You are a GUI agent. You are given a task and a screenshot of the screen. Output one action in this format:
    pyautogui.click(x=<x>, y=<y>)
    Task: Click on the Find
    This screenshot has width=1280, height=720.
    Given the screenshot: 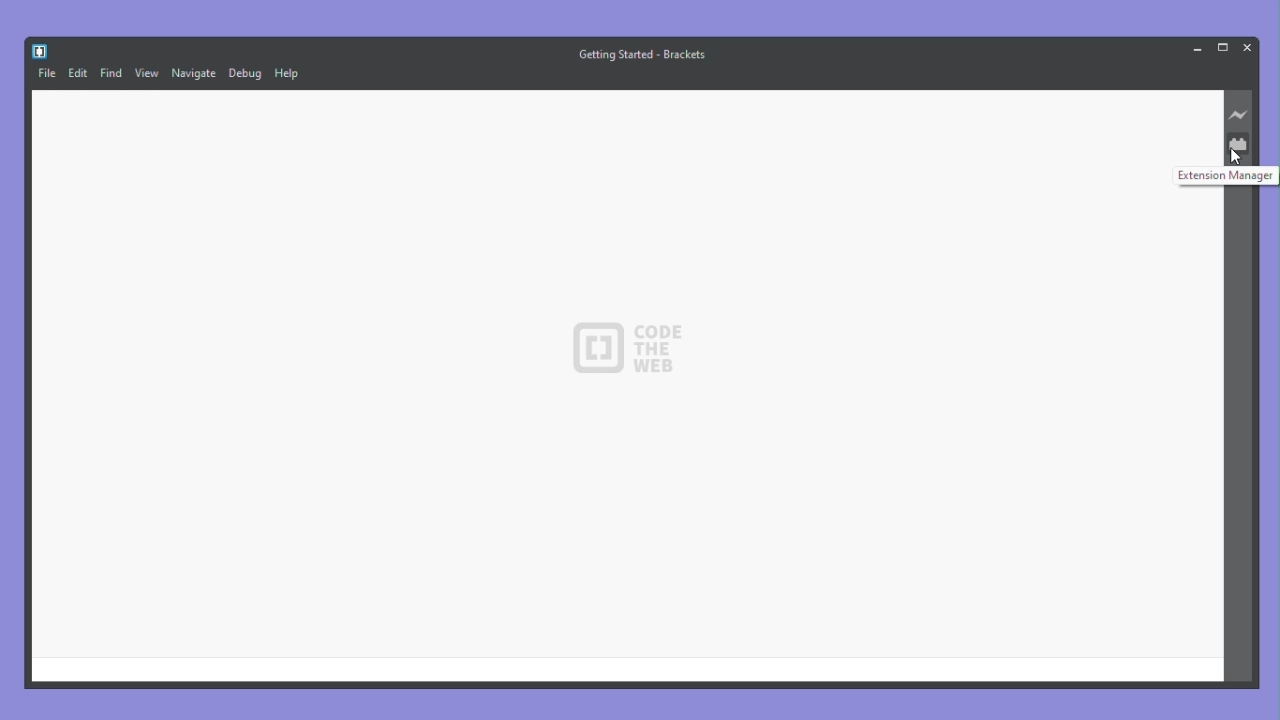 What is the action you would take?
    pyautogui.click(x=112, y=73)
    